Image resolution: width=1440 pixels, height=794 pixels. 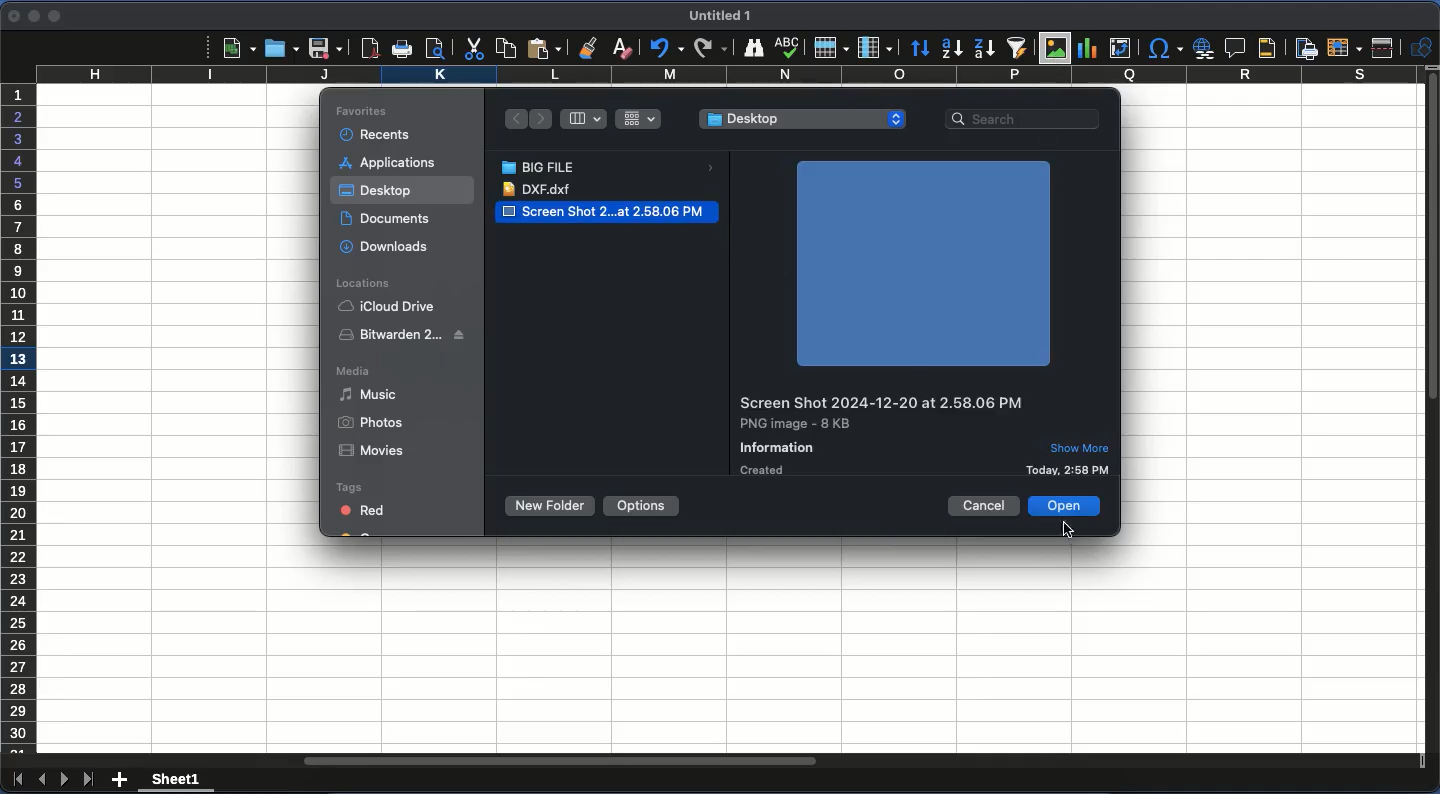 I want to click on favorites, so click(x=362, y=111).